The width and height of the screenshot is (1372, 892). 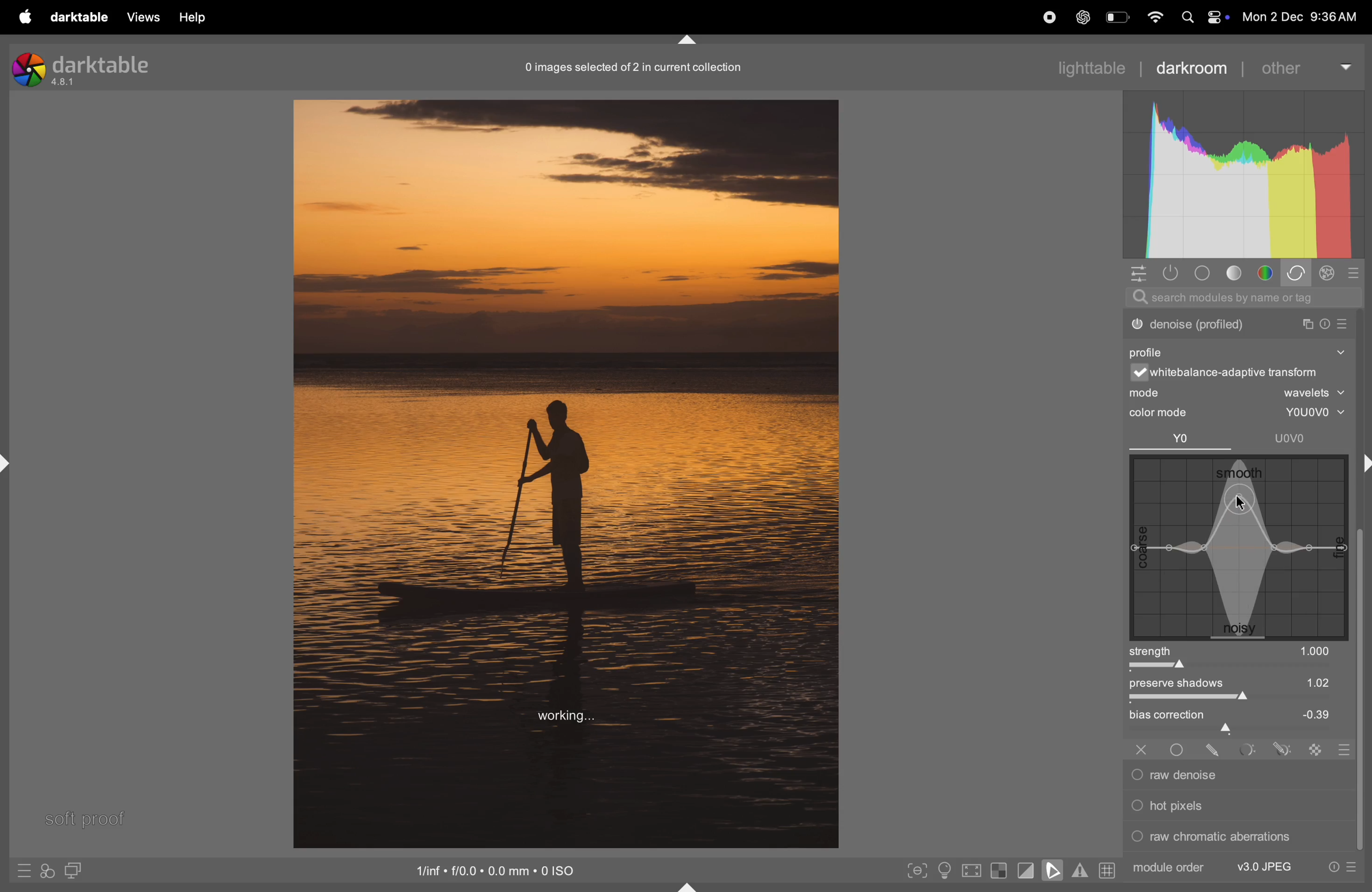 I want to click on sign, so click(x=1316, y=749).